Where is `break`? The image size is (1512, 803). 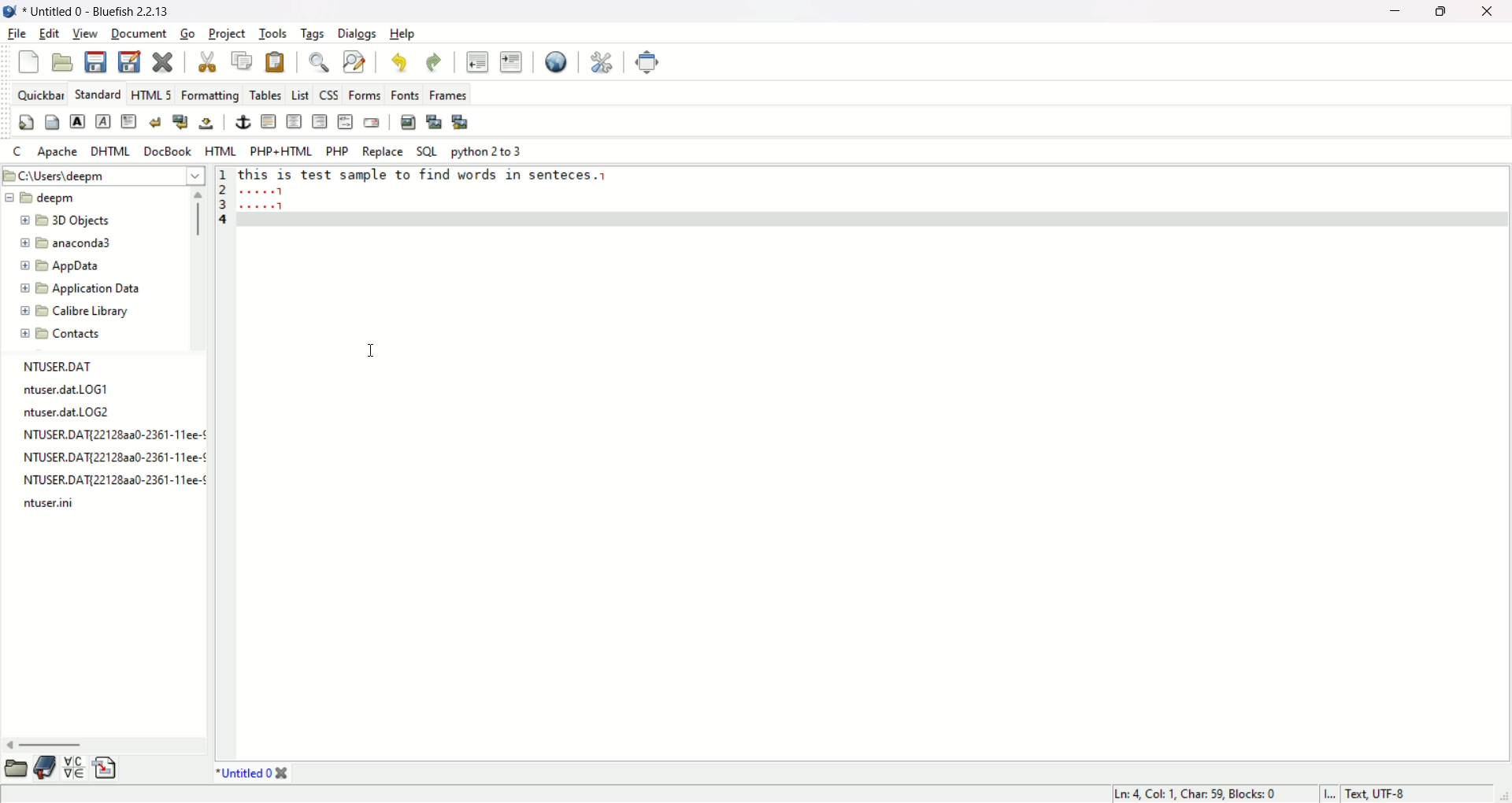 break is located at coordinates (154, 121).